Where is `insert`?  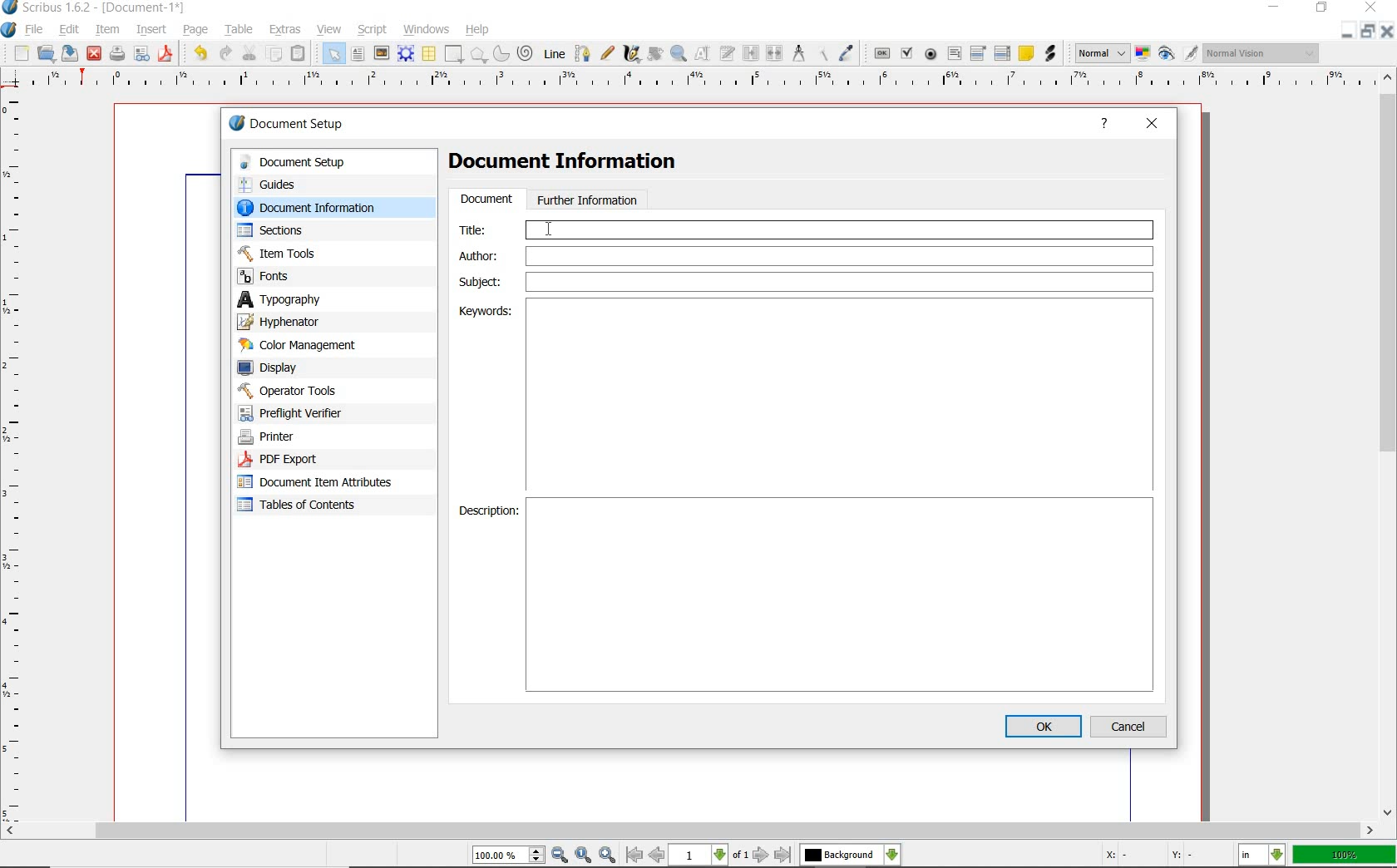
insert is located at coordinates (151, 29).